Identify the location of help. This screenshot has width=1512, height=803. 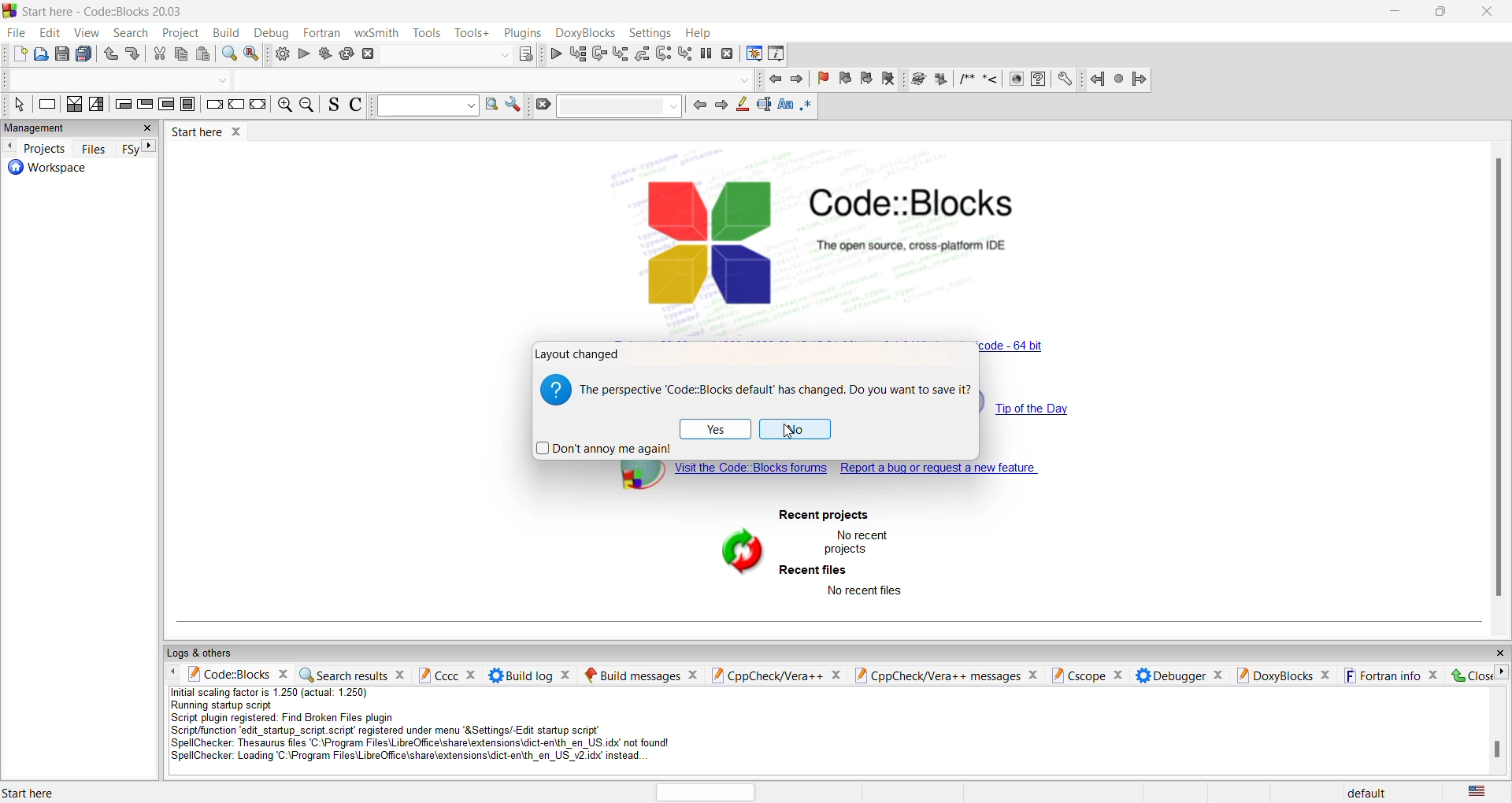
(699, 33).